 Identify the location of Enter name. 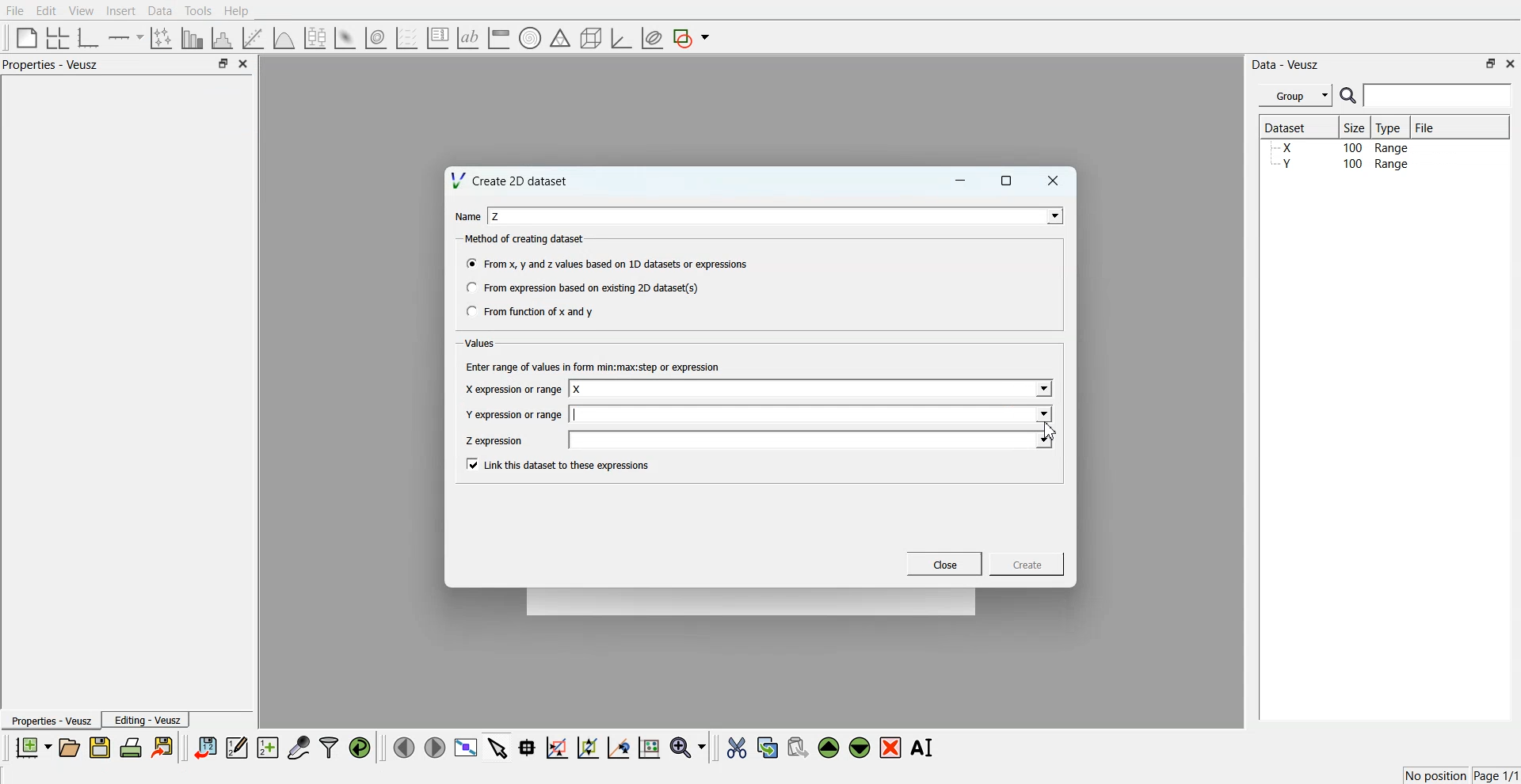
(778, 215).